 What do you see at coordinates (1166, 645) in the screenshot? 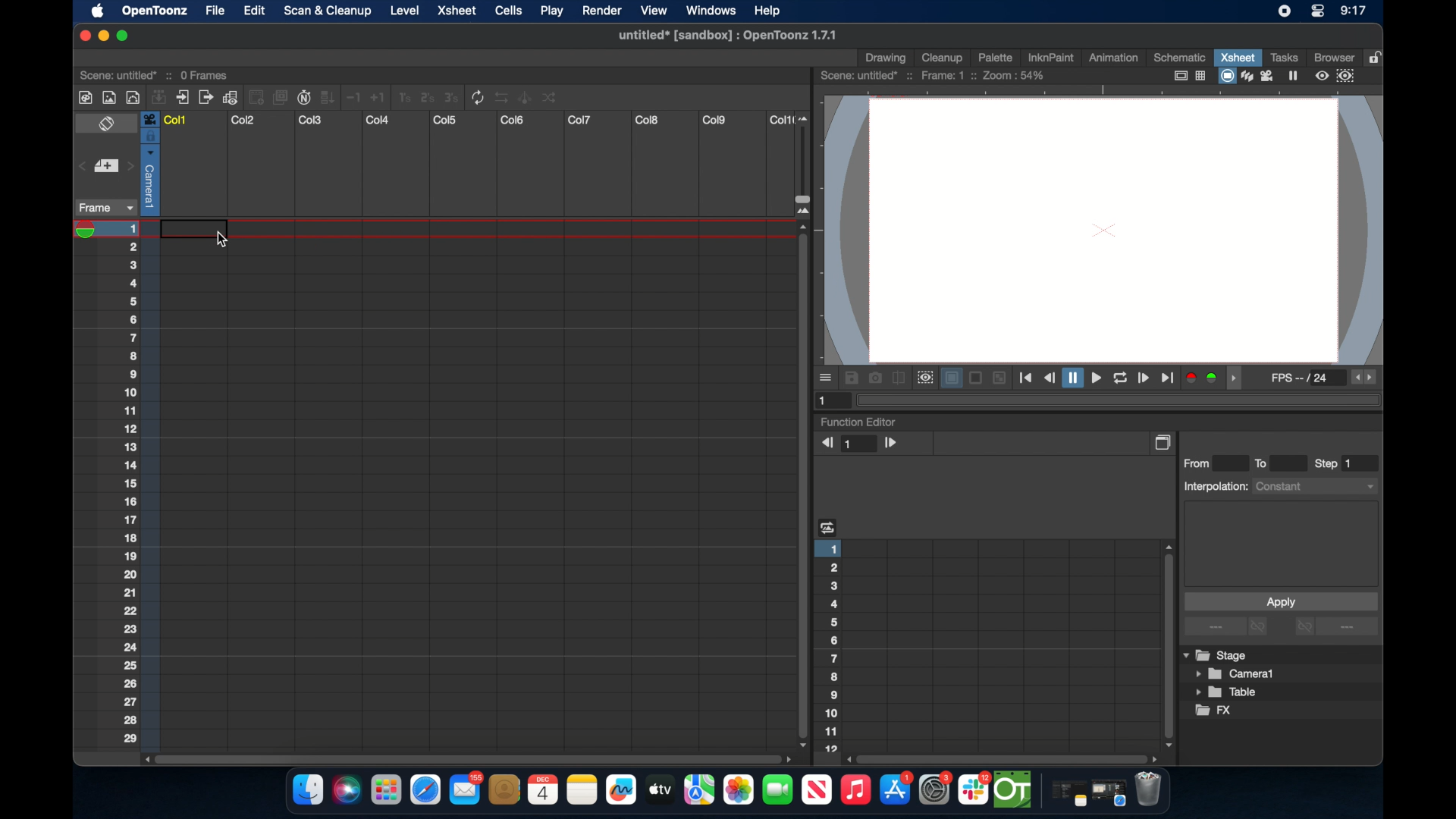
I see `scroll box` at bounding box center [1166, 645].